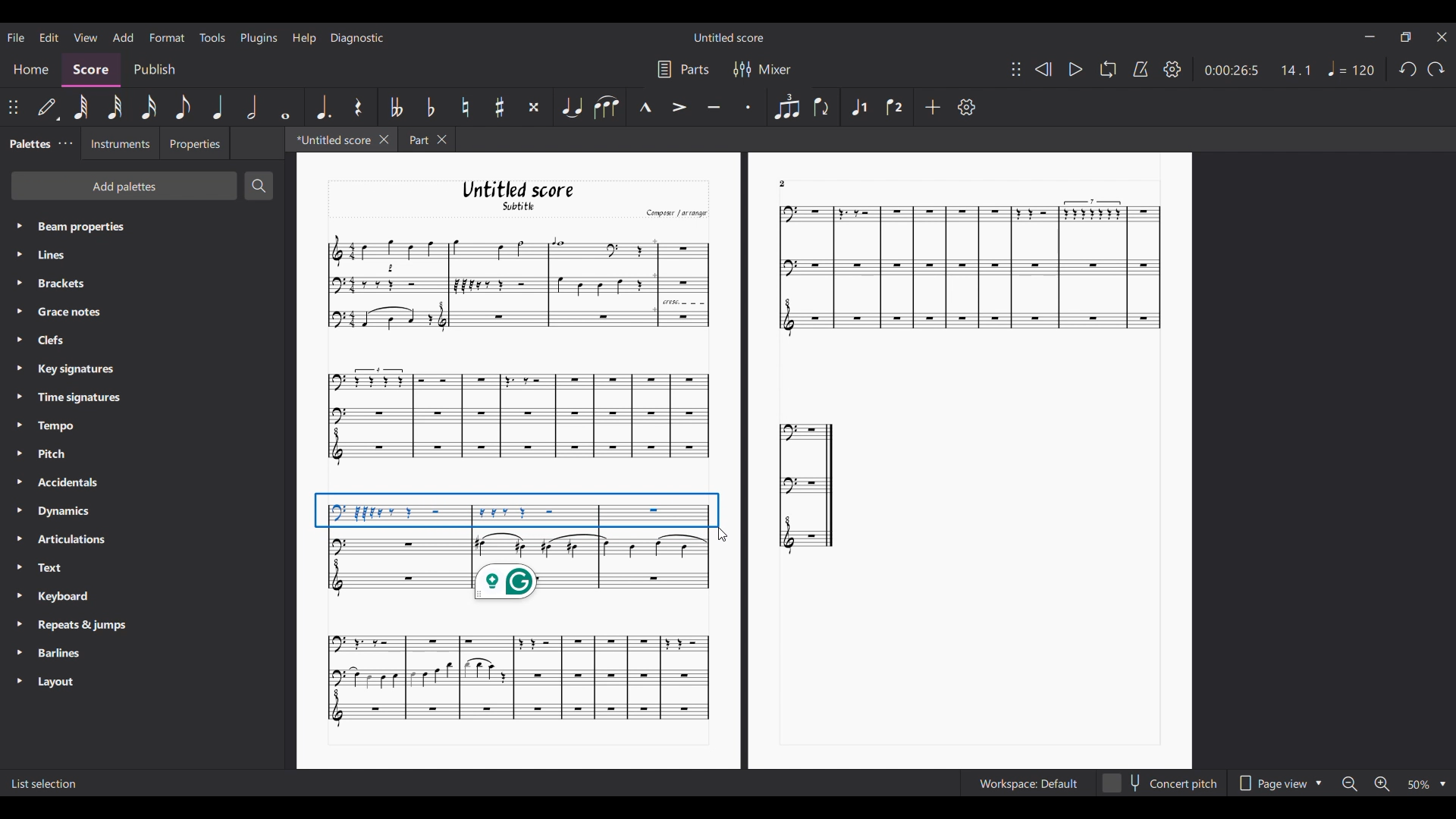 This screenshot has height=819, width=1456. What do you see at coordinates (155, 71) in the screenshot?
I see `Publish ` at bounding box center [155, 71].